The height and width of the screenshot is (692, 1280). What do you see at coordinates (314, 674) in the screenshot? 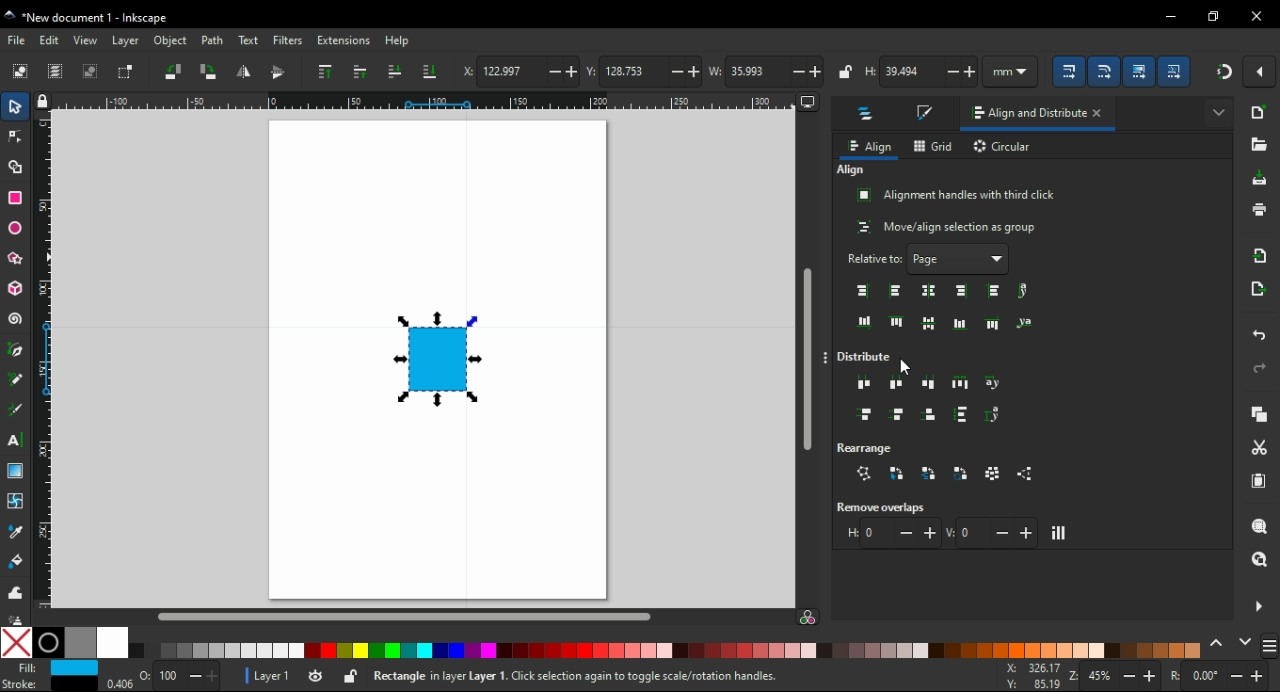
I see `layer visibility` at bounding box center [314, 674].